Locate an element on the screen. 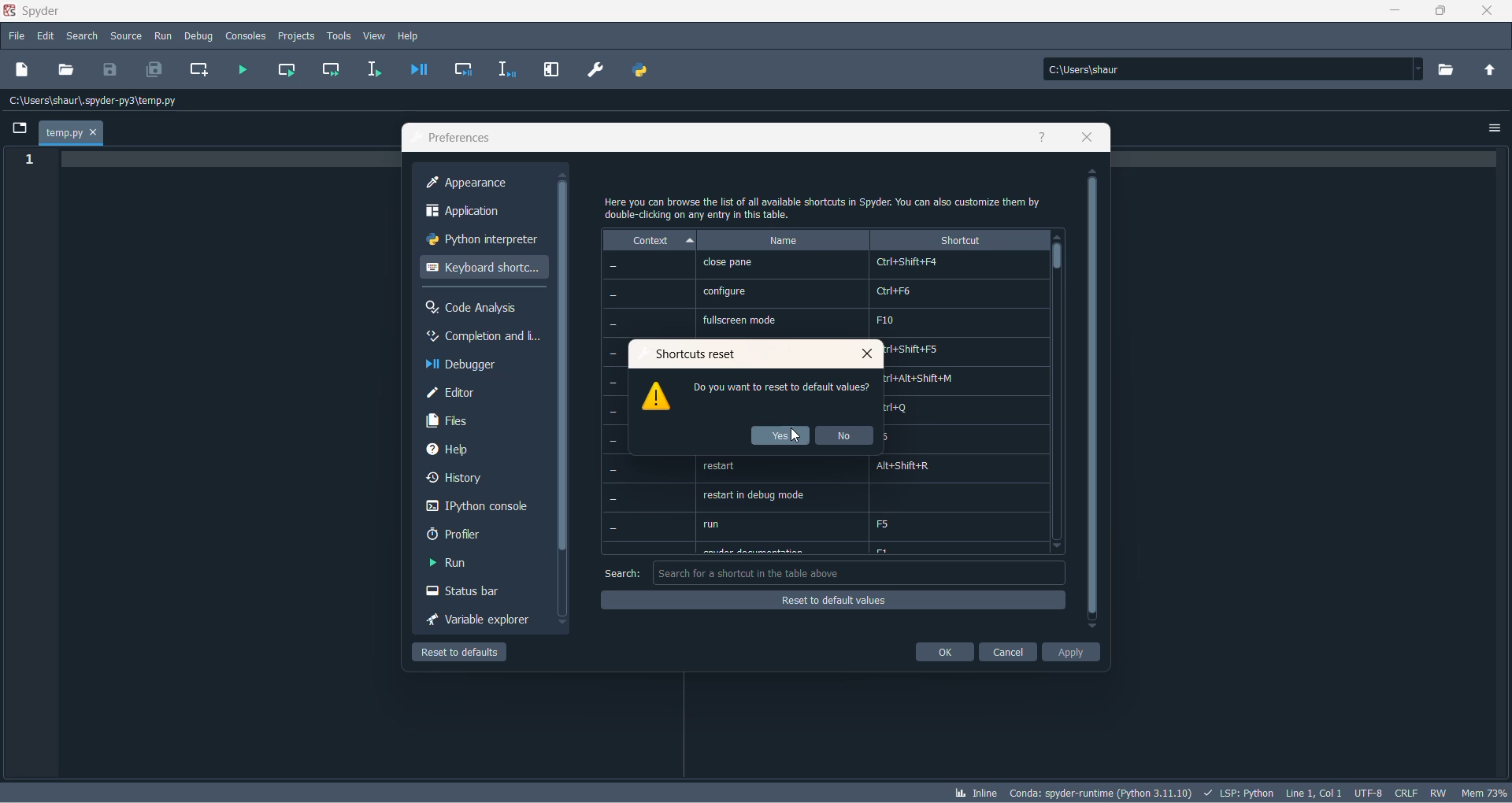 The width and height of the screenshot is (1512, 803). move up is located at coordinates (1093, 171).